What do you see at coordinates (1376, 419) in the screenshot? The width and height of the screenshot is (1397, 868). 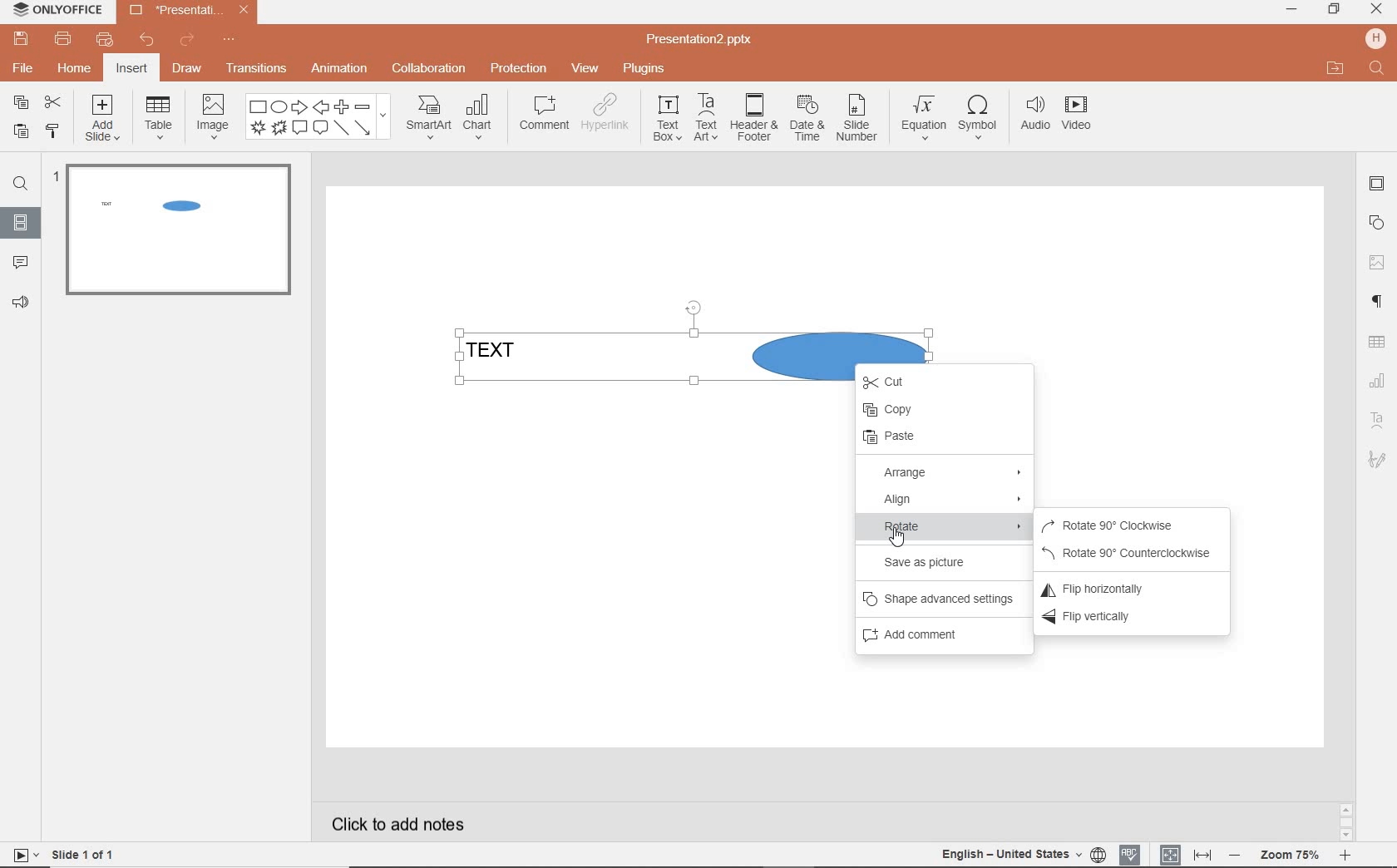 I see `Text Art` at bounding box center [1376, 419].